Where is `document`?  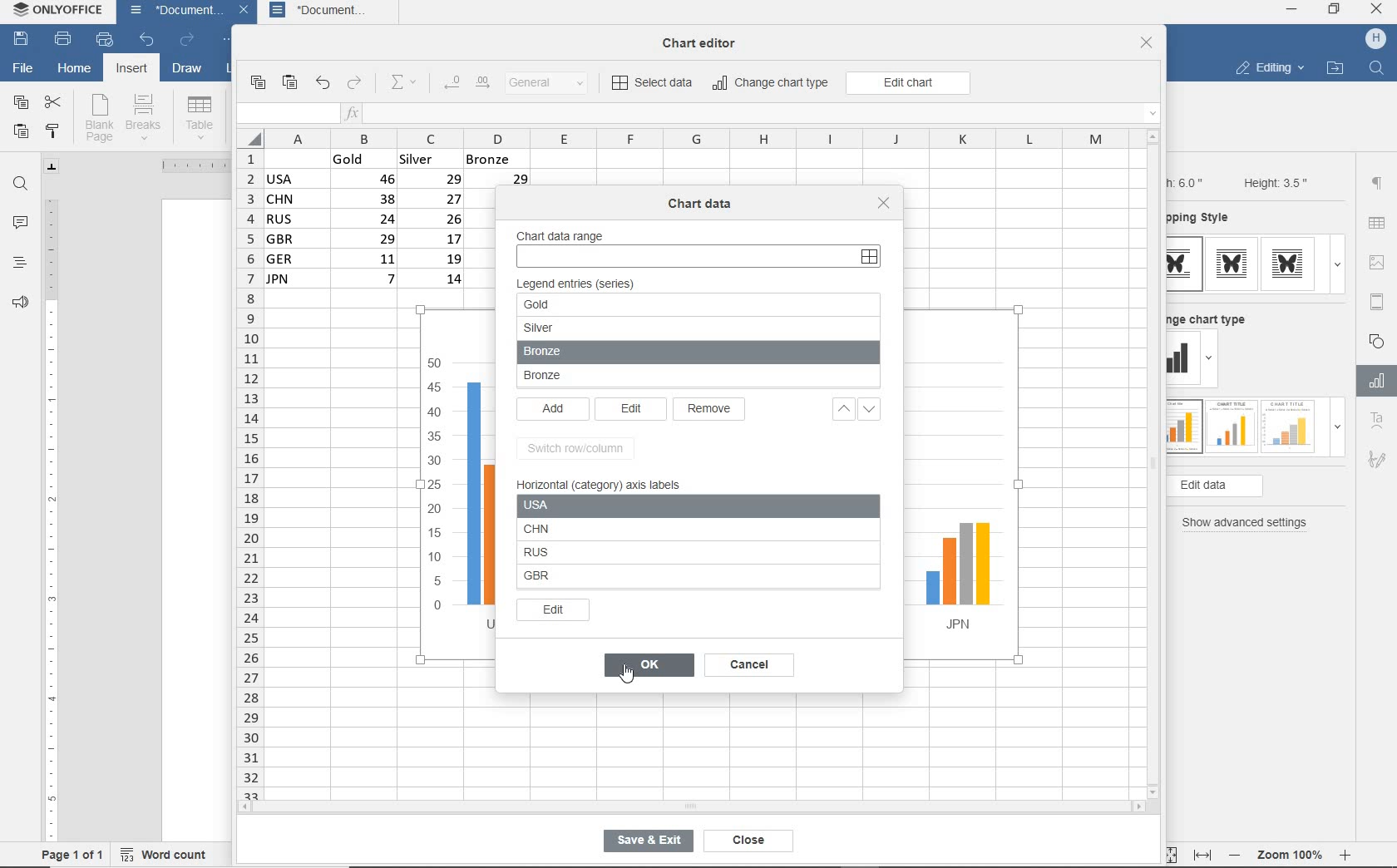
document is located at coordinates (332, 12).